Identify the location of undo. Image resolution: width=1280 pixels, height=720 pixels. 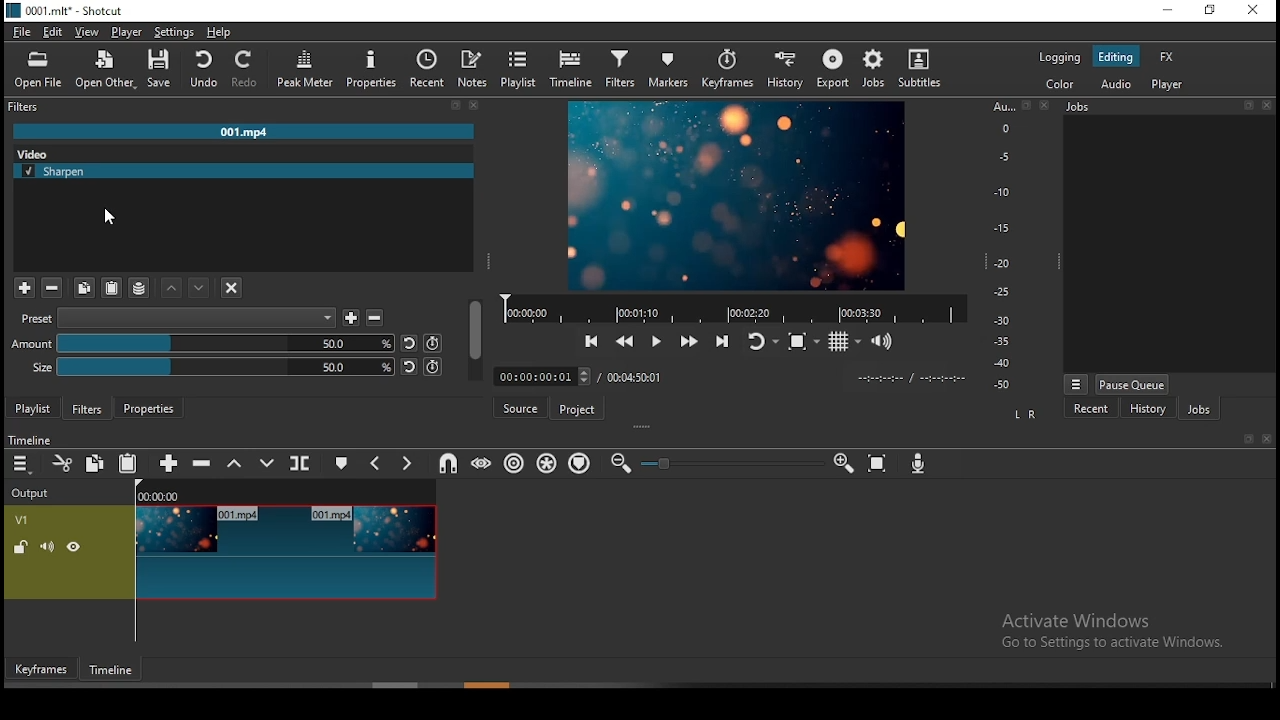
(409, 343).